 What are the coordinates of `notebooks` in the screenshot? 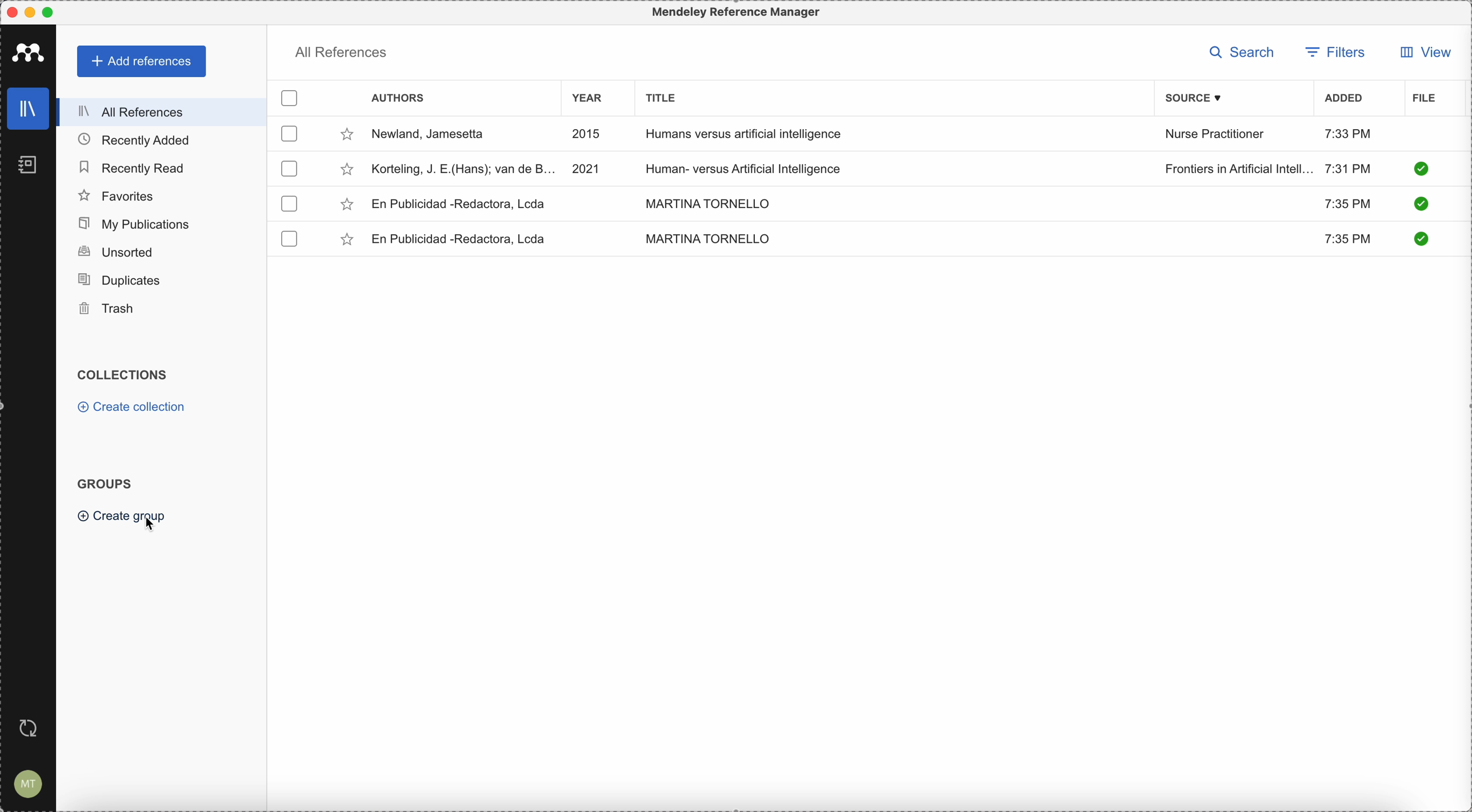 It's located at (30, 168).